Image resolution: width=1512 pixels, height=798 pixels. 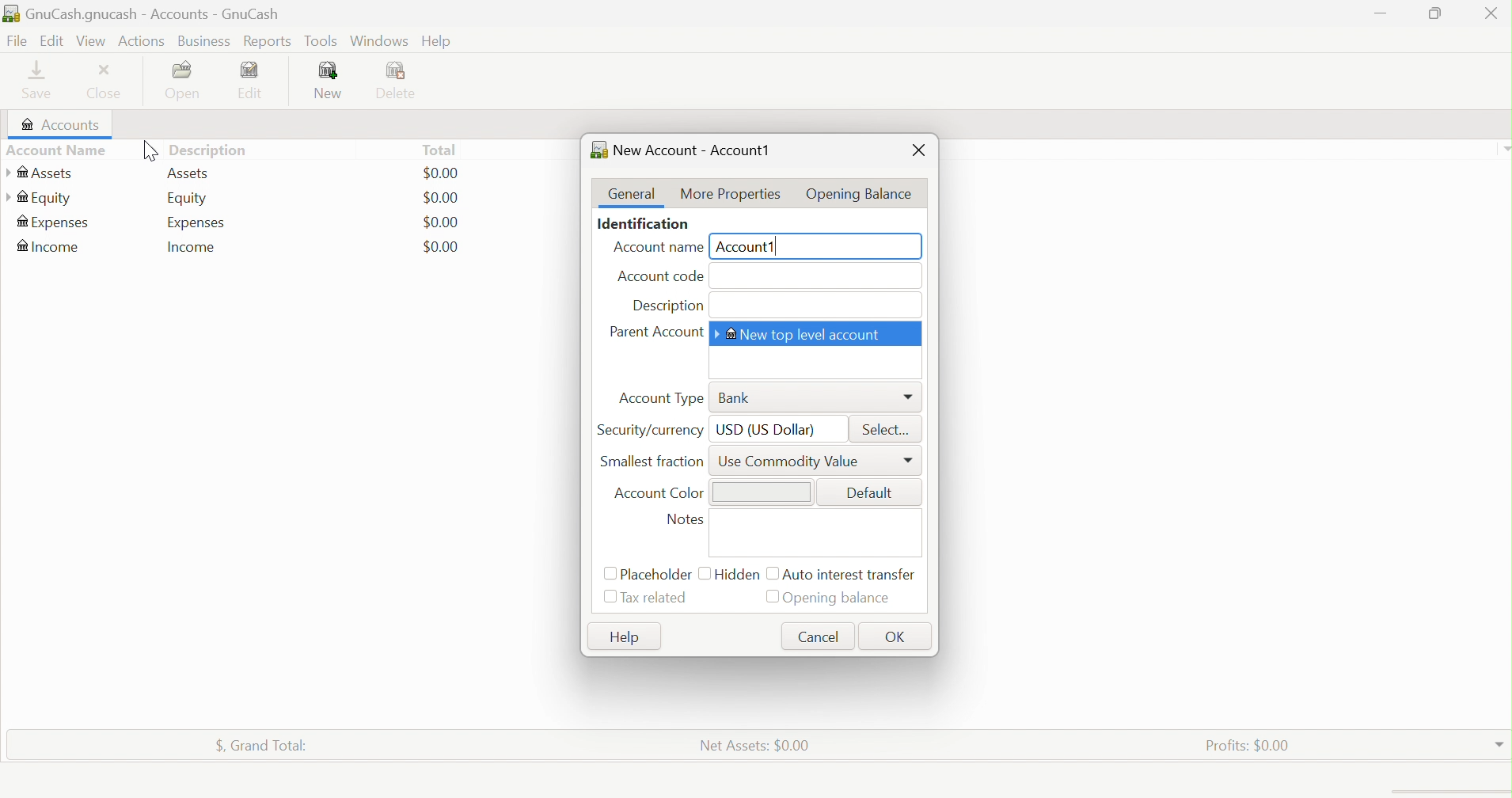 I want to click on Actions, so click(x=144, y=40).